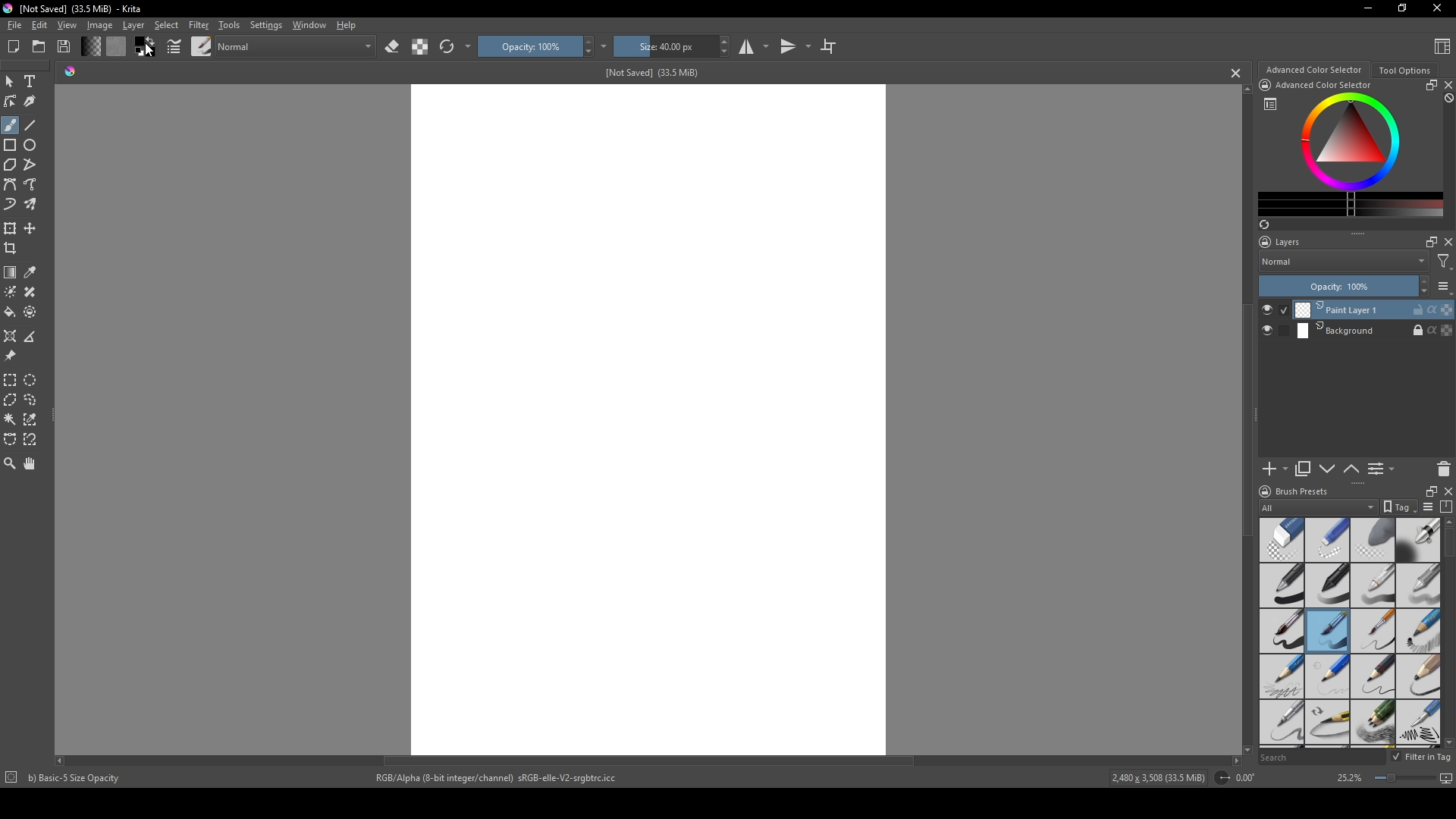  I want to click on similar color, so click(33, 419).